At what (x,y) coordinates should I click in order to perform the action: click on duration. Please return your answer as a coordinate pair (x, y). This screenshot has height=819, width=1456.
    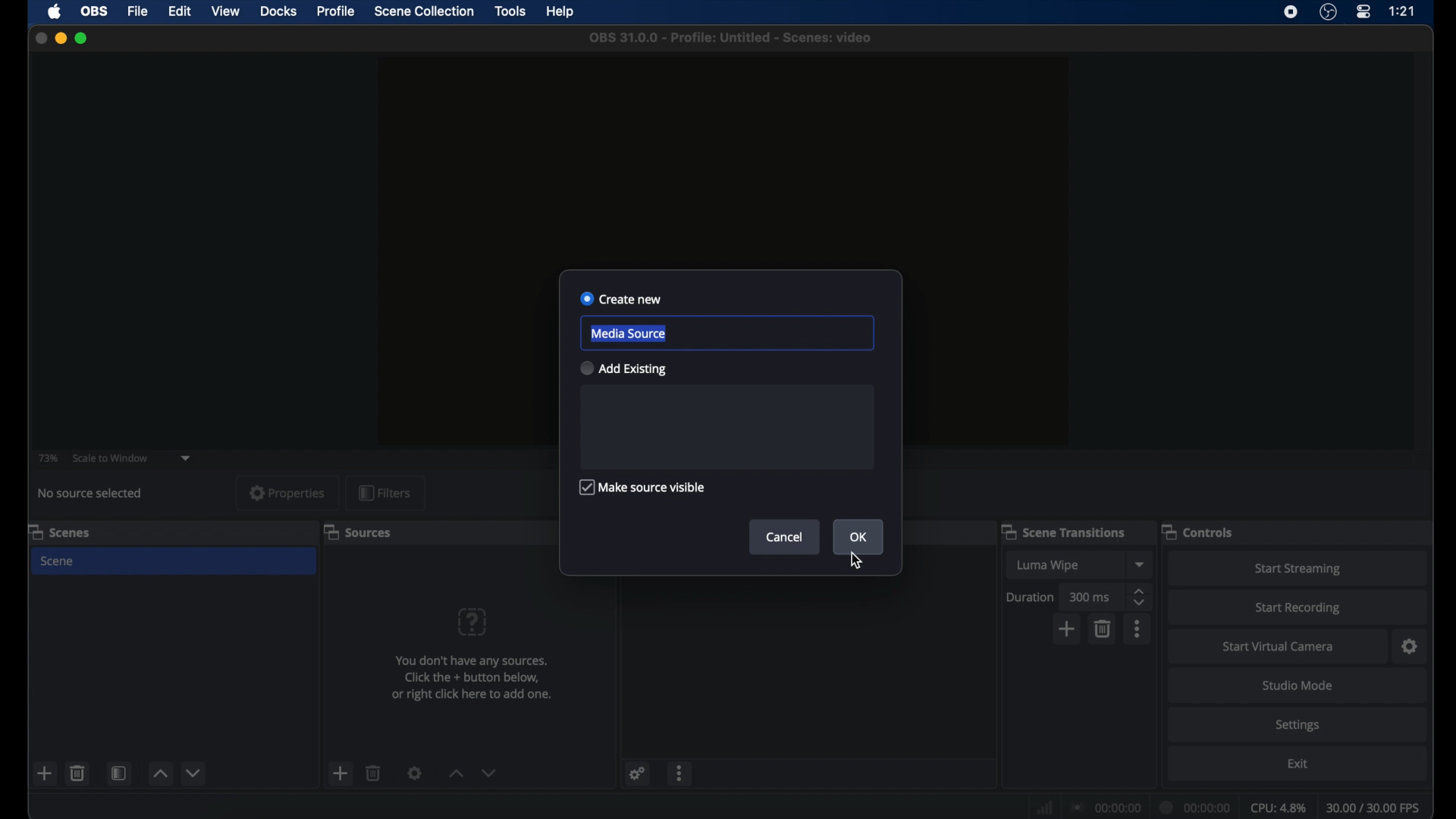
    Looking at the image, I should click on (1195, 807).